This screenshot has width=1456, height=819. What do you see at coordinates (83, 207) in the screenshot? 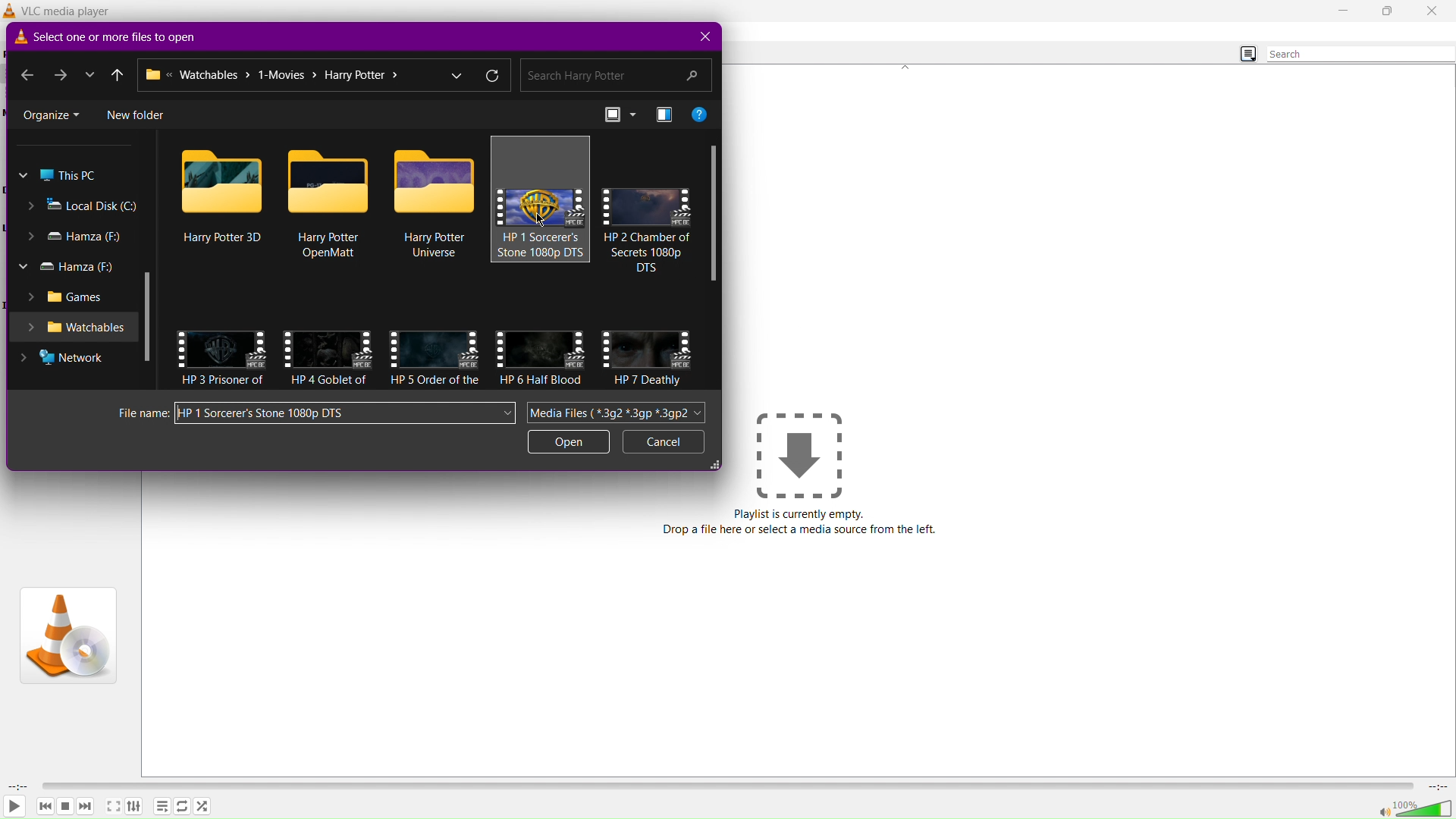
I see `local disk` at bounding box center [83, 207].